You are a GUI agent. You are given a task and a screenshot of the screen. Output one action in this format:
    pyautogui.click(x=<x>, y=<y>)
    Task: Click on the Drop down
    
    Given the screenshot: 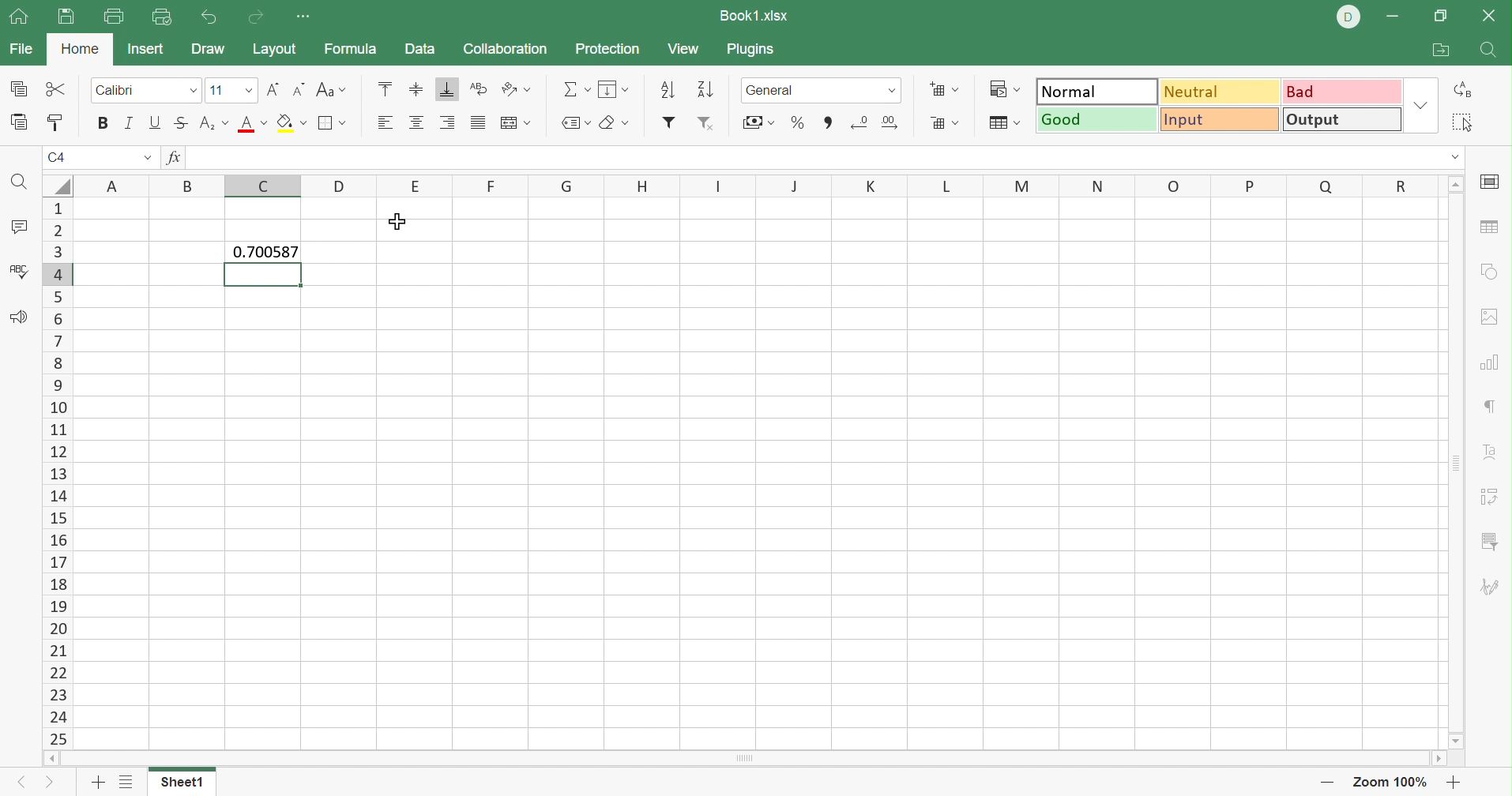 What is the action you would take?
    pyautogui.click(x=147, y=158)
    